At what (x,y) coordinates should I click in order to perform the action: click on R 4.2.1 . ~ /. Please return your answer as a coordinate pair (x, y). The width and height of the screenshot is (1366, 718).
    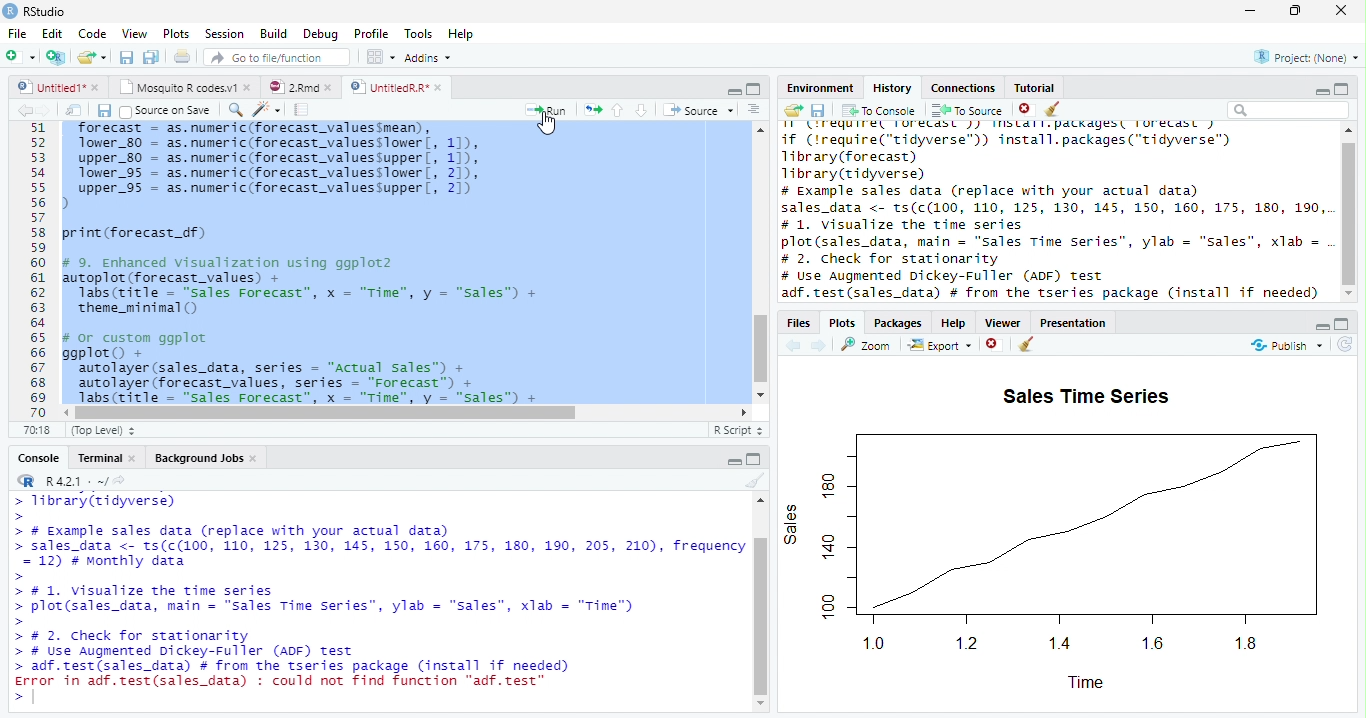
    Looking at the image, I should click on (76, 482).